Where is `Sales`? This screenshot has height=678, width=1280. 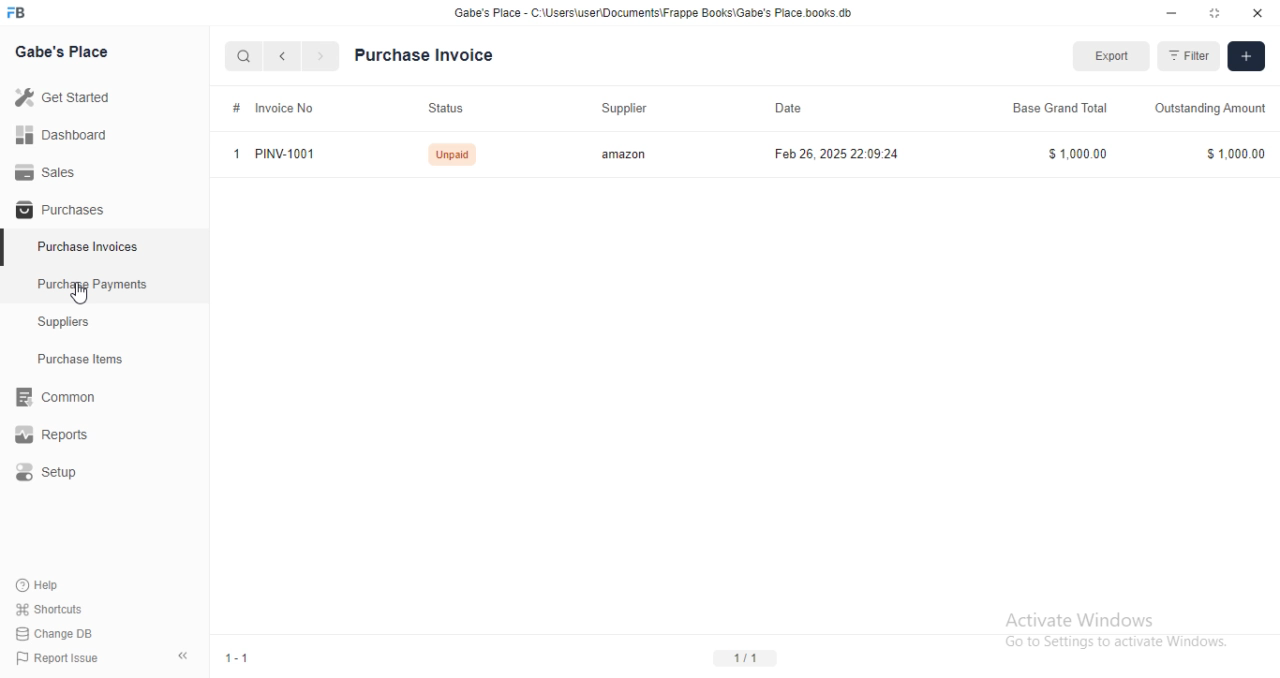
Sales is located at coordinates (45, 171).